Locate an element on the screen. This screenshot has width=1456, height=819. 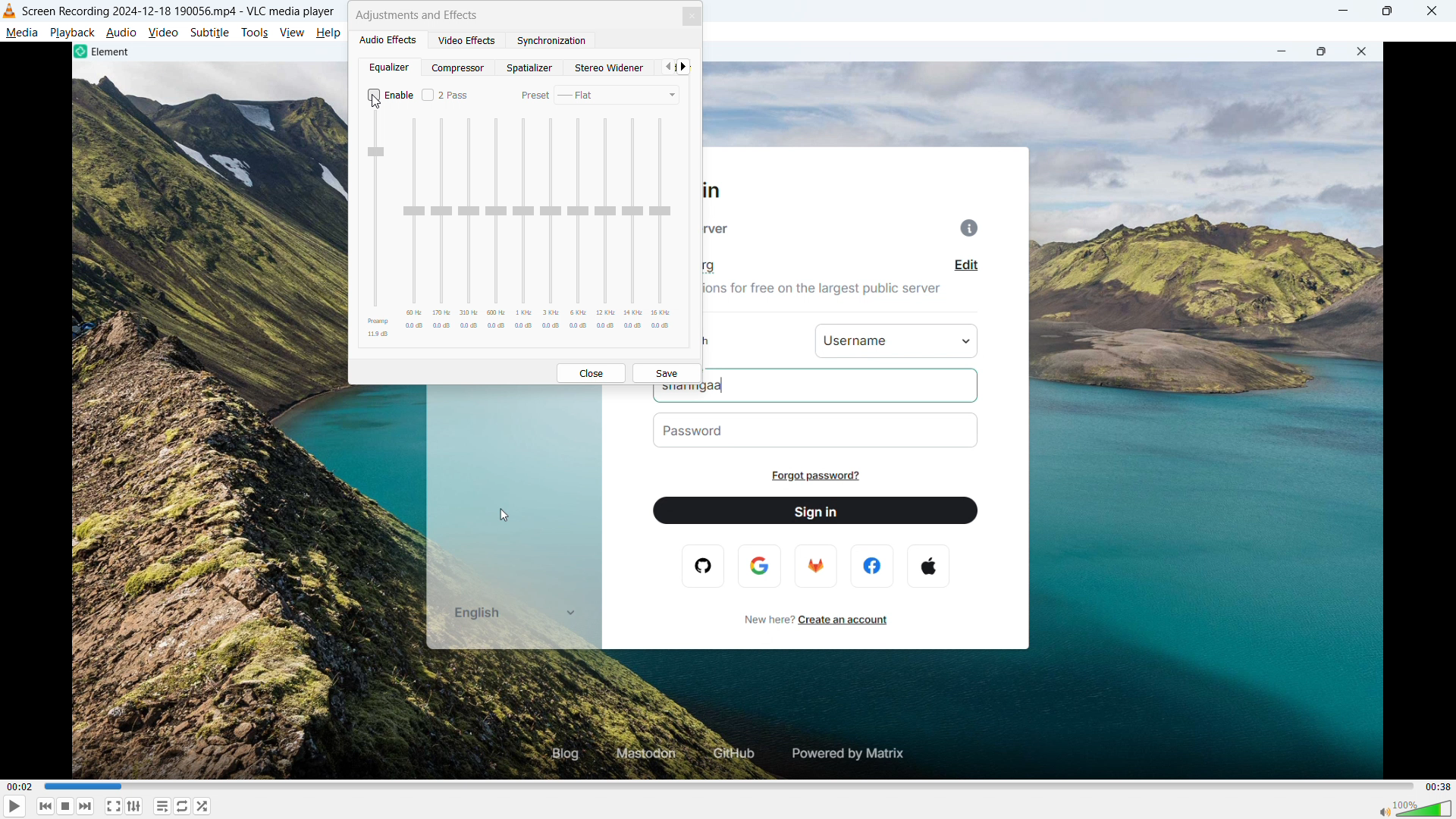
next tab  is located at coordinates (683, 67).